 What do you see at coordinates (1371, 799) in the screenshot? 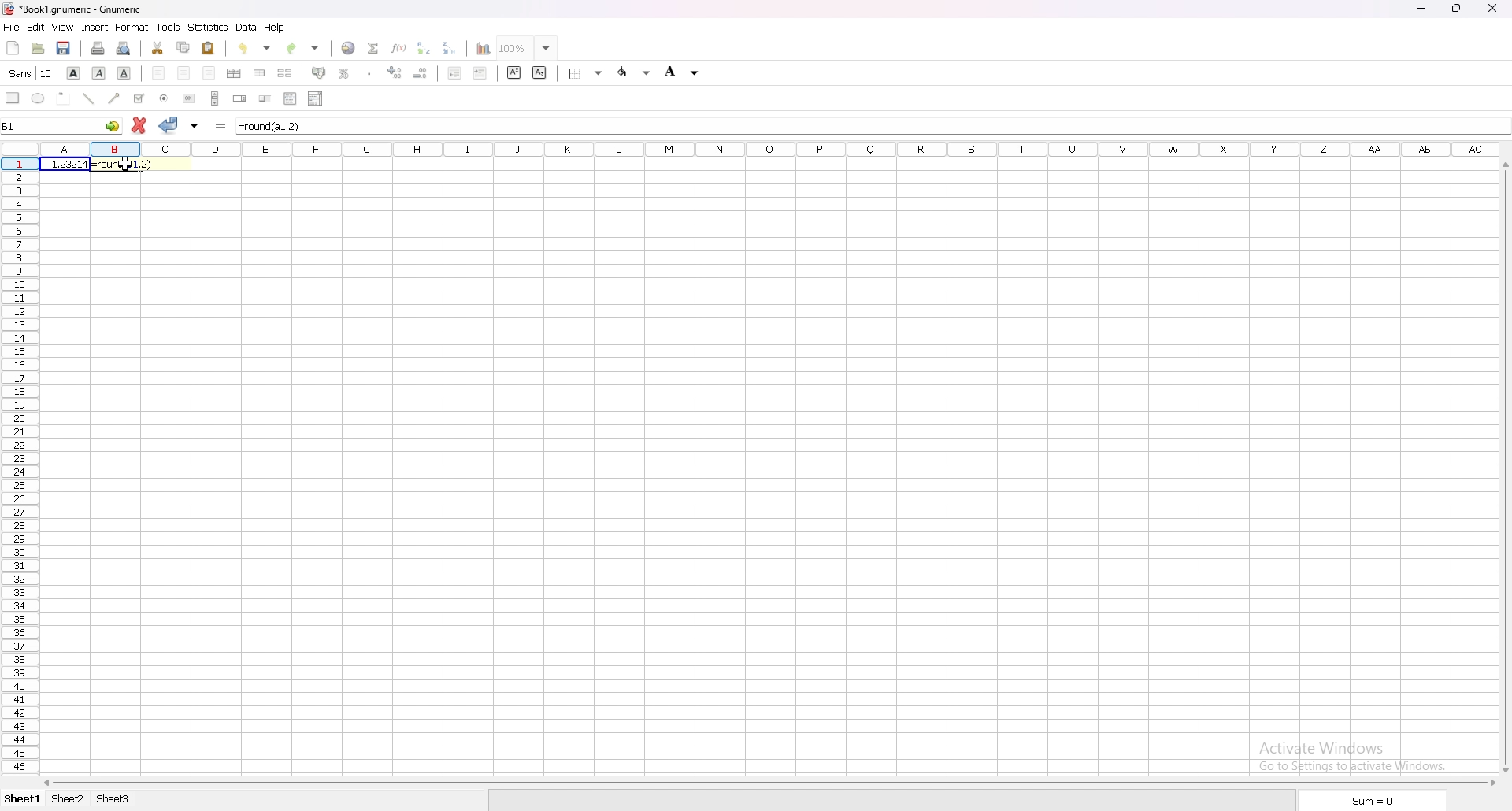
I see `sum` at bounding box center [1371, 799].